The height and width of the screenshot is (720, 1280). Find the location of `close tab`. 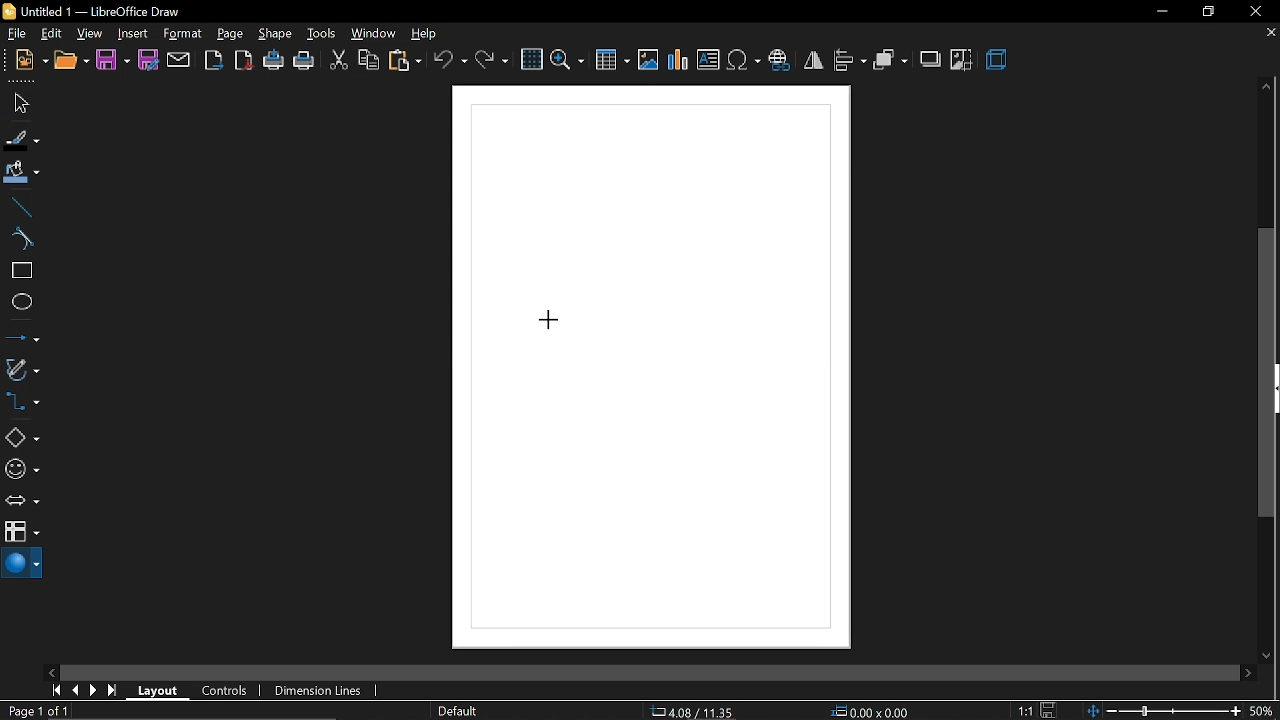

close tab is located at coordinates (1268, 33).